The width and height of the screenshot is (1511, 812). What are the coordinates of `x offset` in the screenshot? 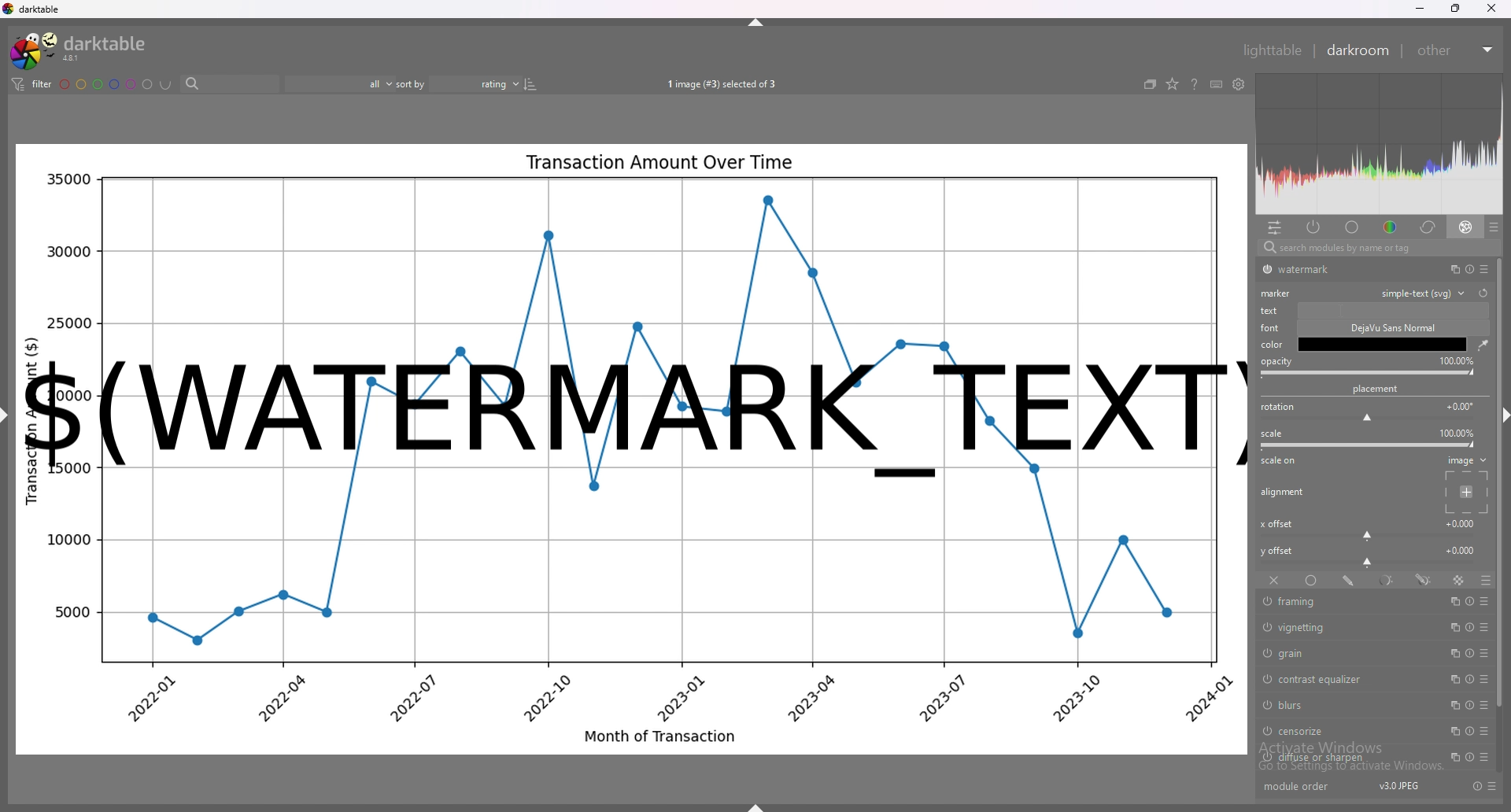 It's located at (1276, 524).